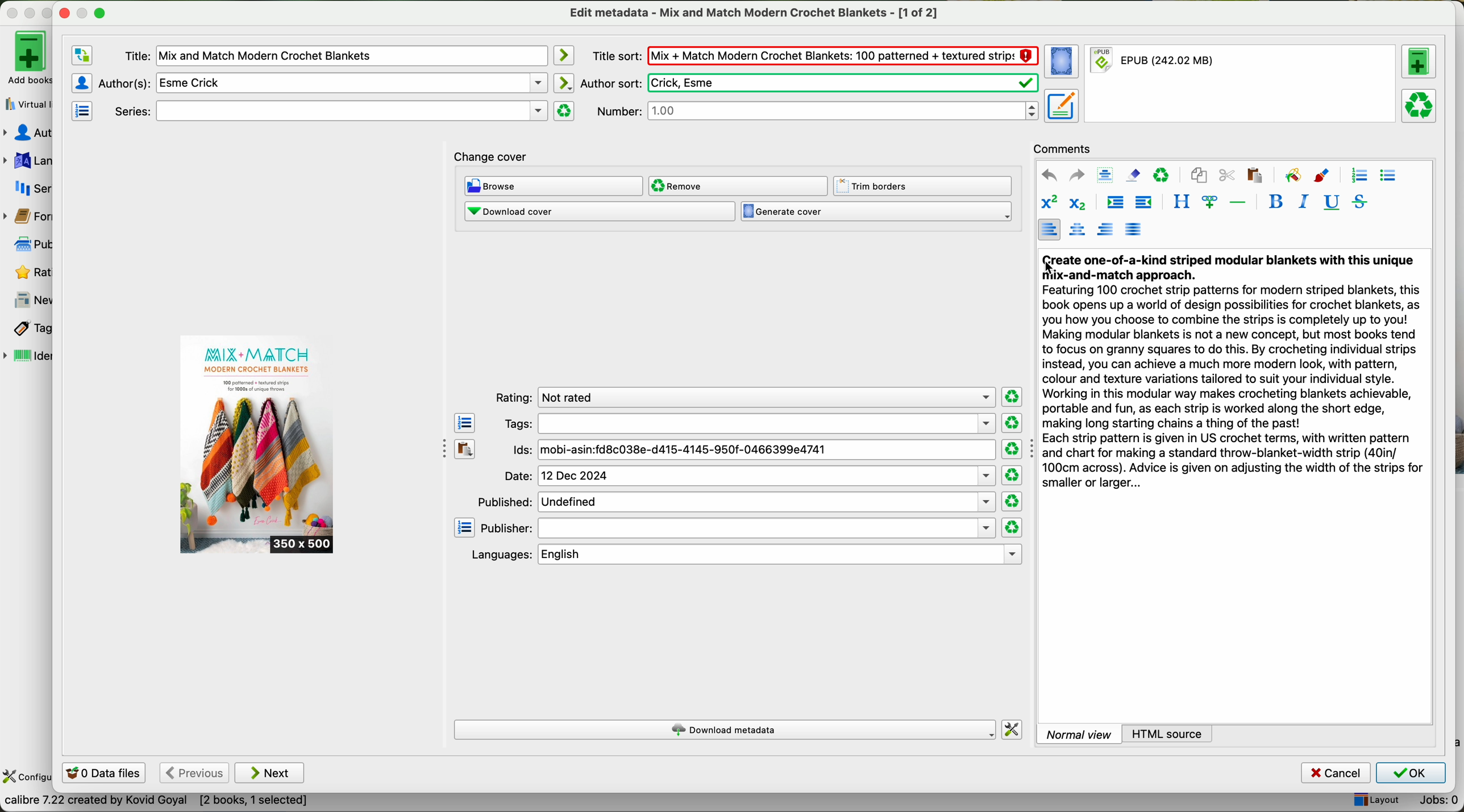  Describe the element at coordinates (1012, 476) in the screenshot. I see `clear rating` at that location.